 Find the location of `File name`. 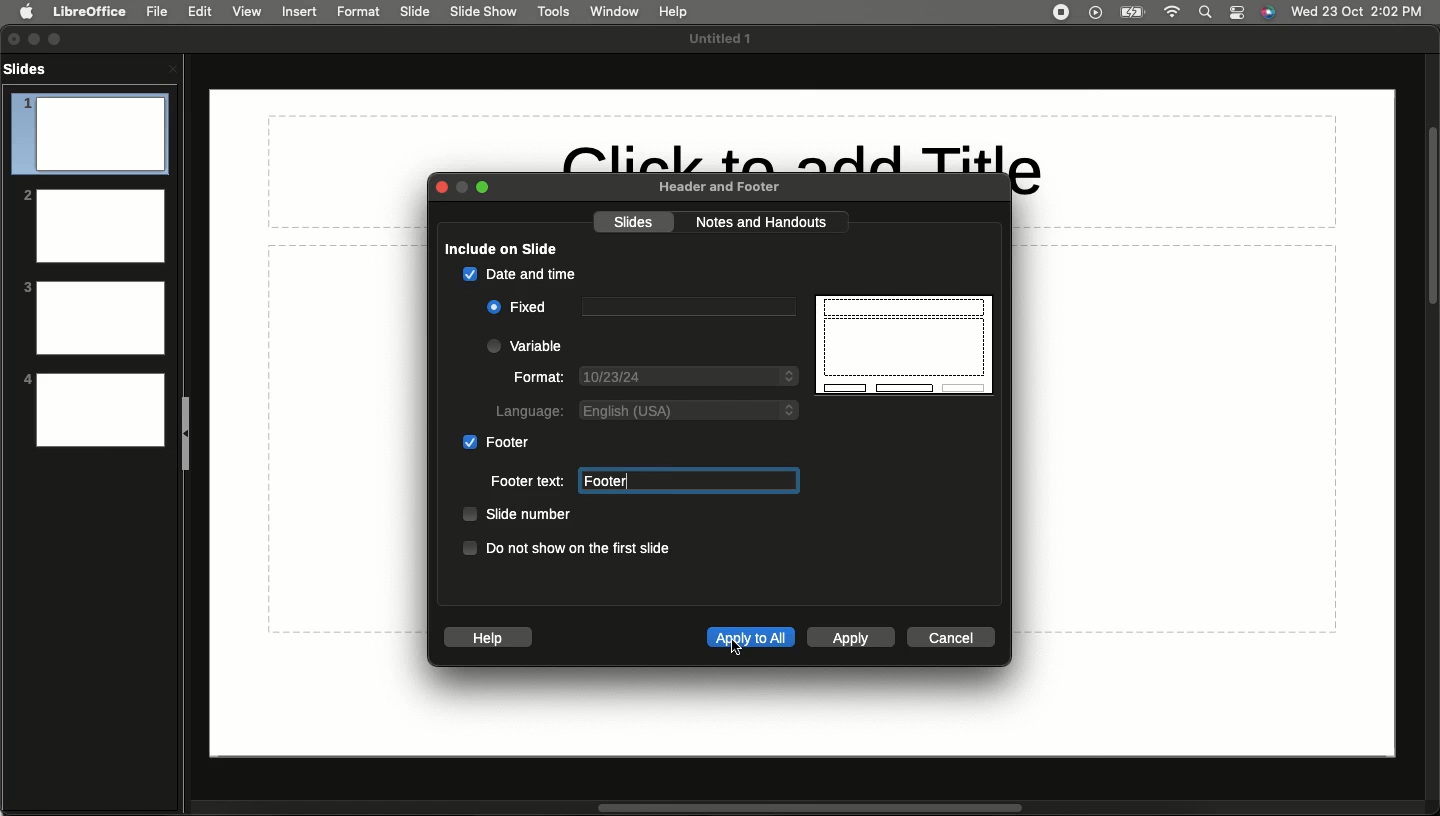

File name is located at coordinates (725, 39).